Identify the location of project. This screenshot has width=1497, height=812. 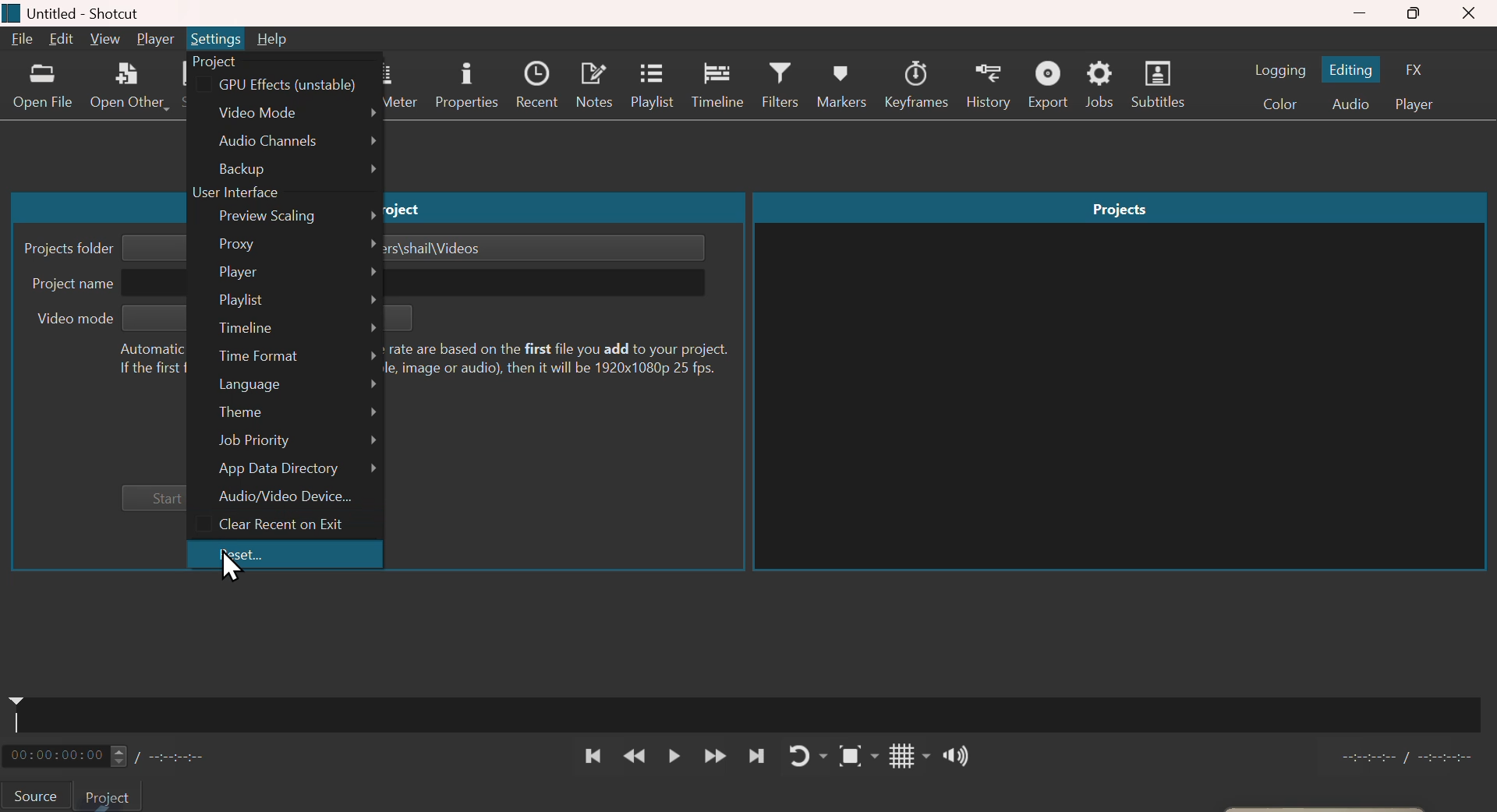
(411, 210).